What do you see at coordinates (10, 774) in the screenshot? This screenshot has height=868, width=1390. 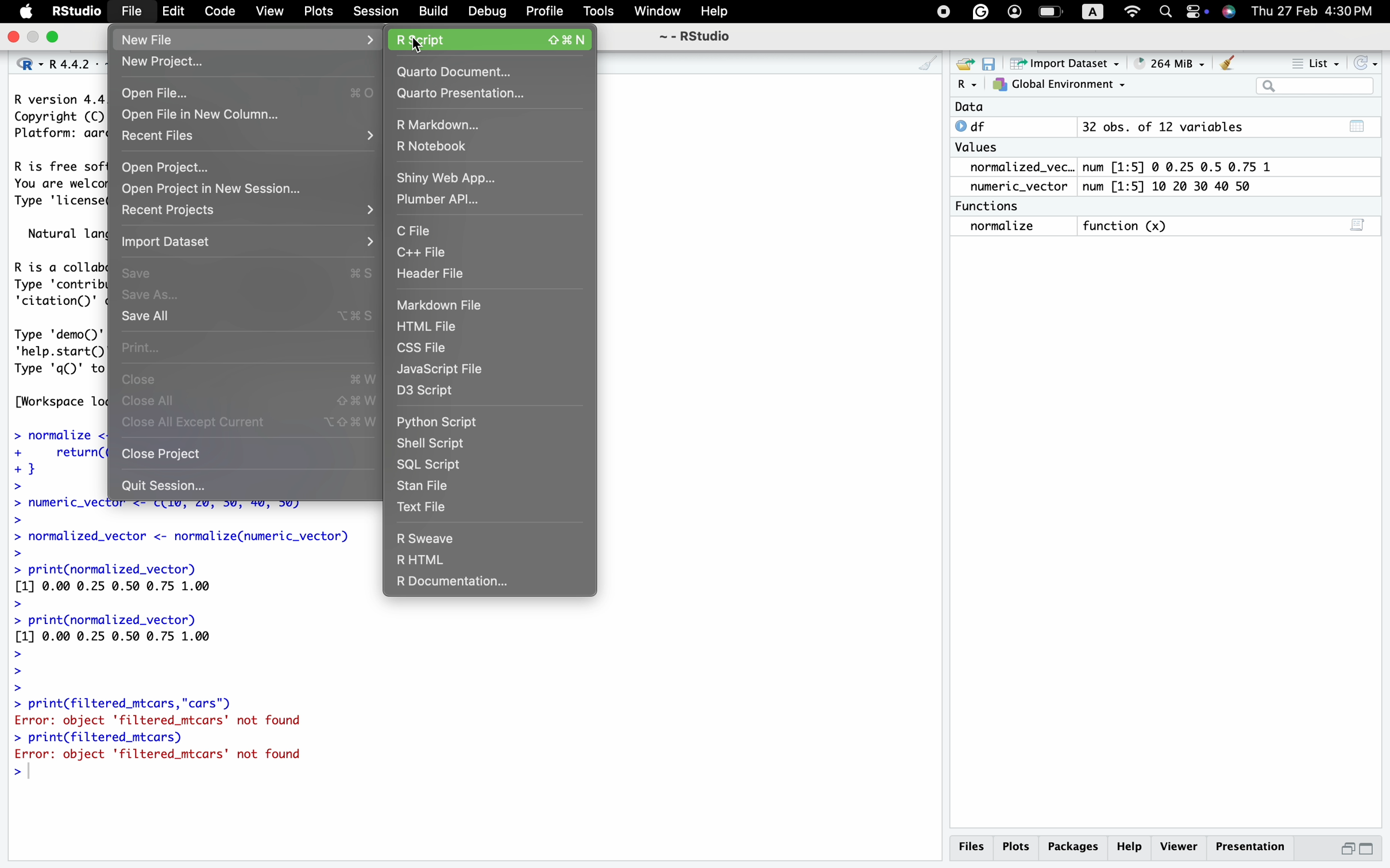 I see `prompt cursor` at bounding box center [10, 774].